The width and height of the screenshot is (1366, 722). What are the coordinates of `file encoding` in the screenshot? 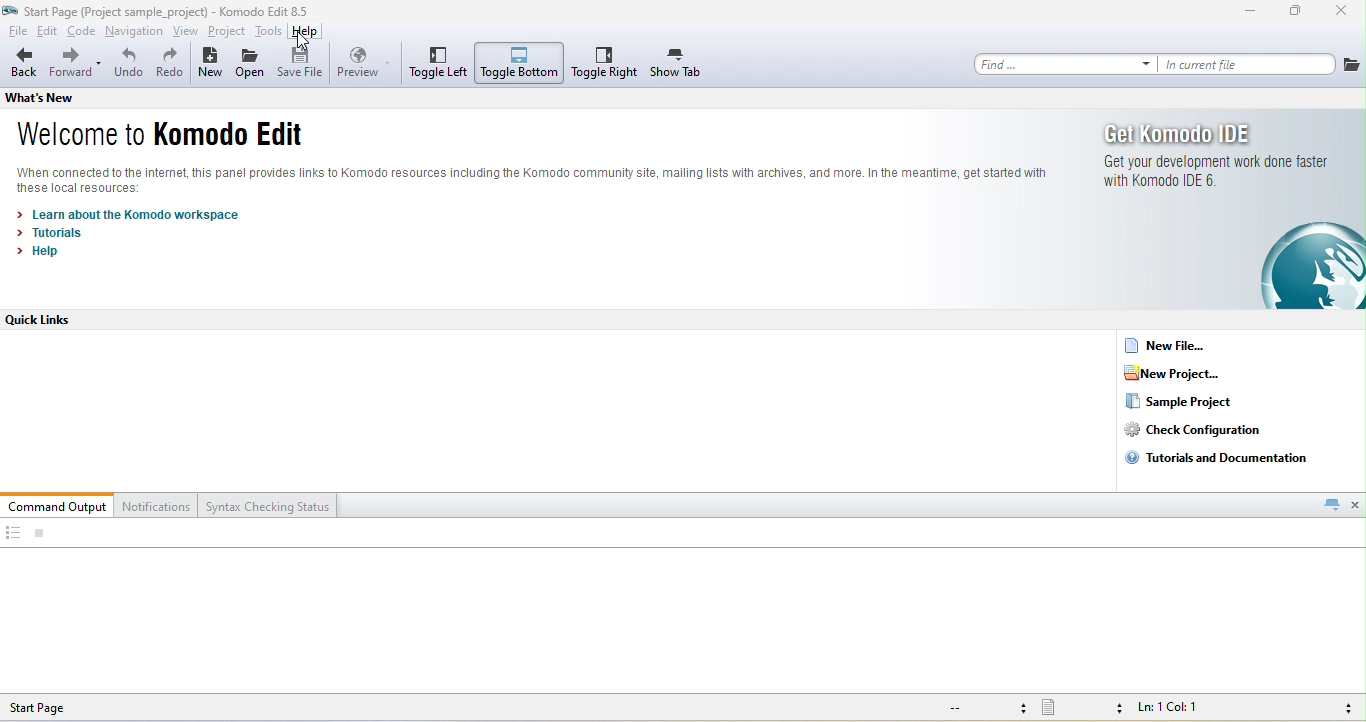 It's located at (984, 708).